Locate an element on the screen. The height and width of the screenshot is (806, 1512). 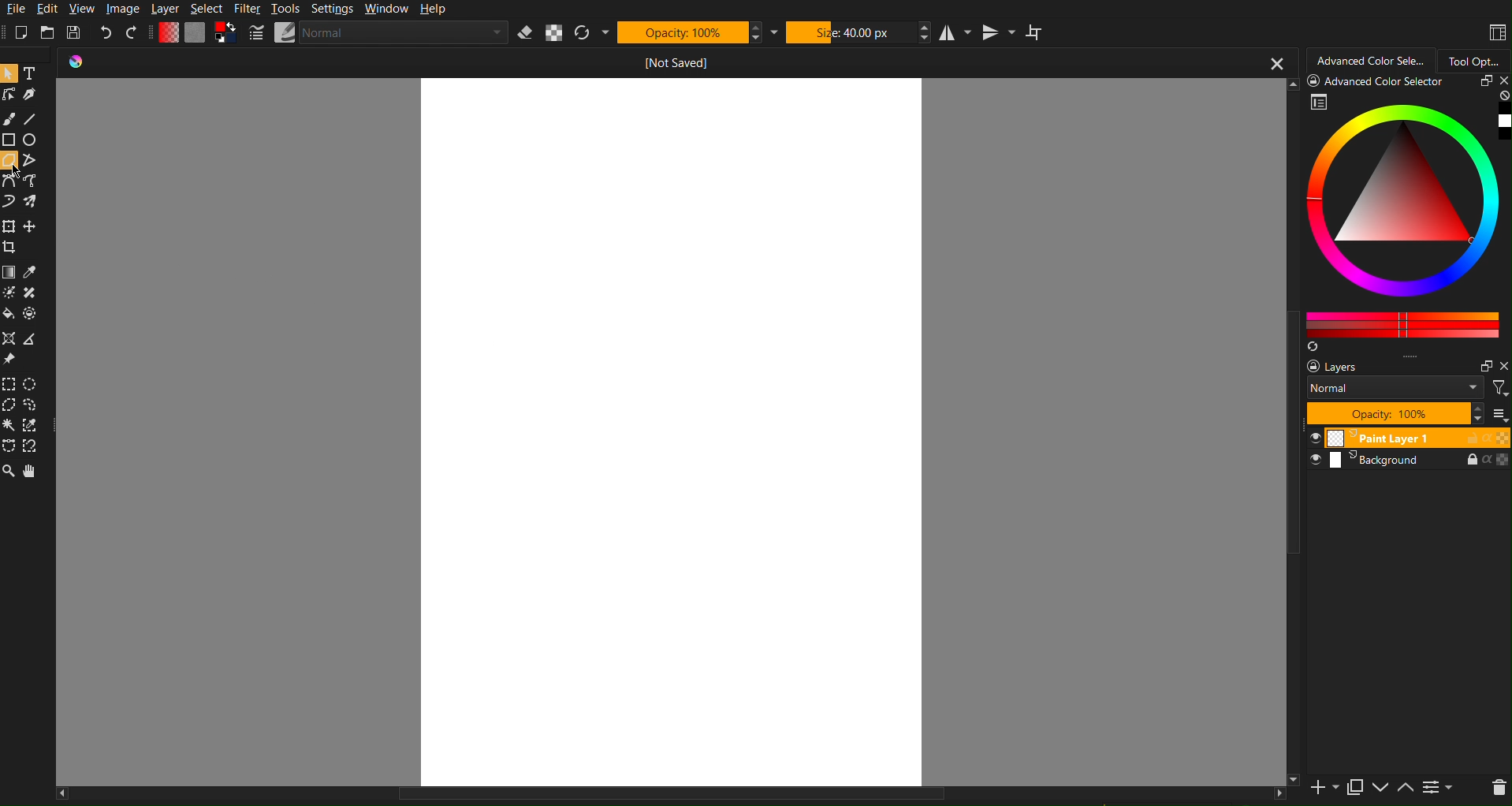
polygon tool is located at coordinates (10, 160).